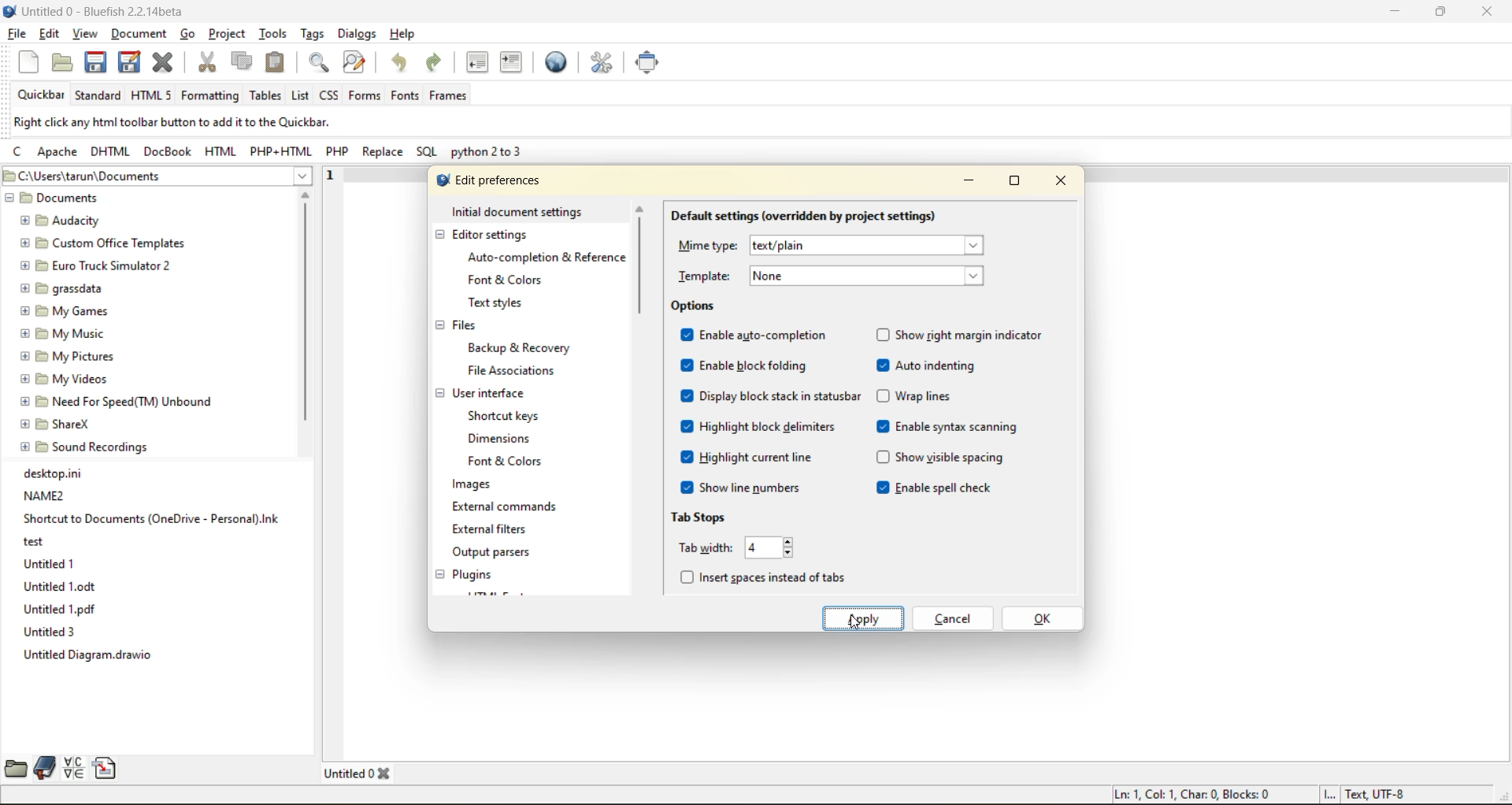 The image size is (1512, 805). I want to click on close, so click(1063, 181).